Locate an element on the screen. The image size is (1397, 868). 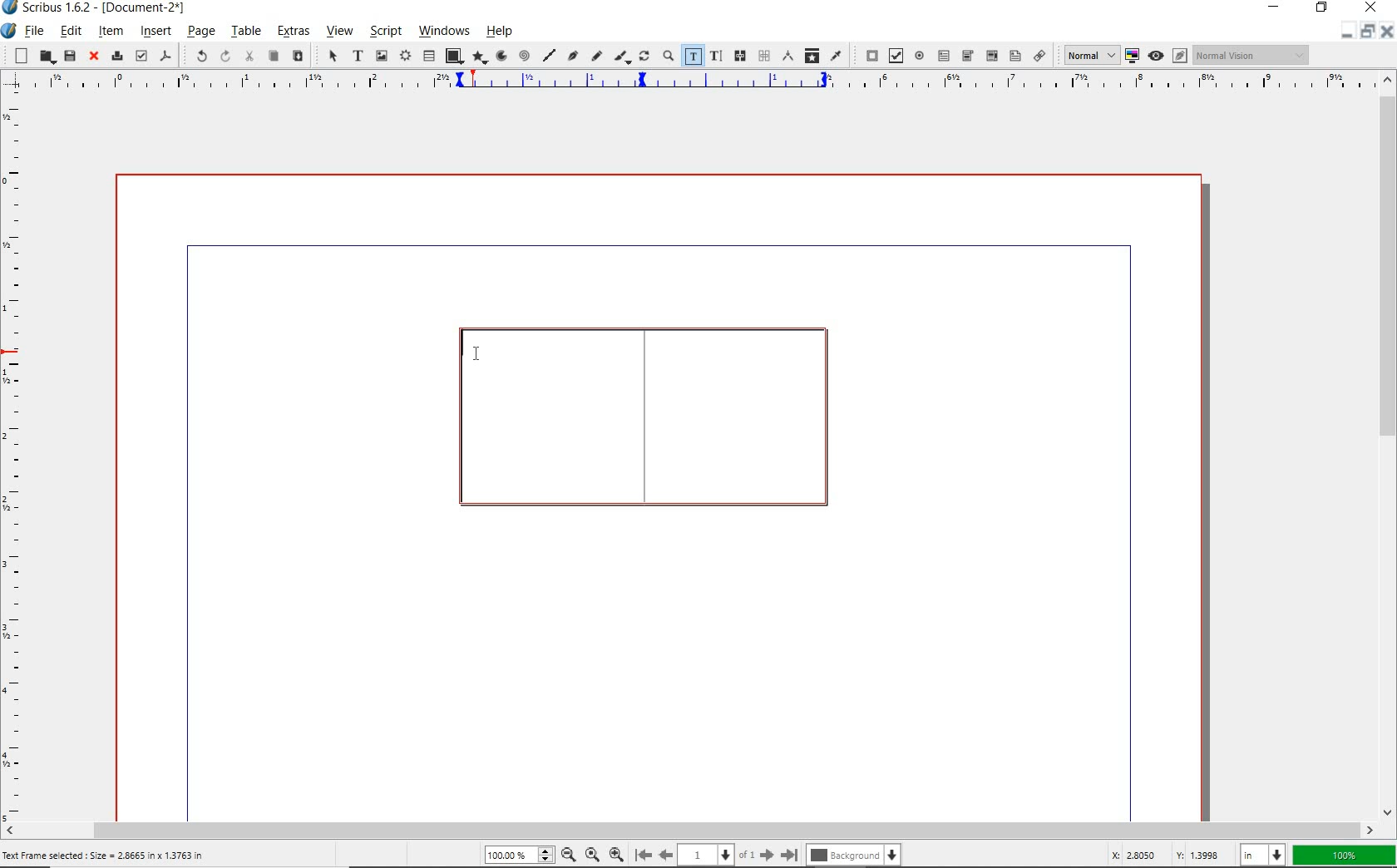
of 1 is located at coordinates (748, 853).